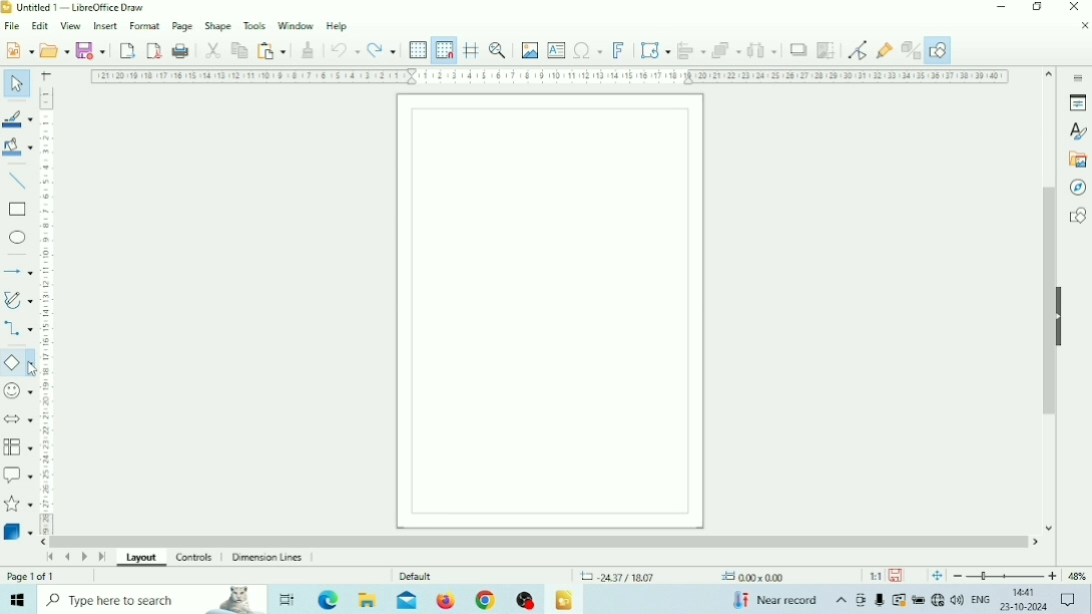 Image resolution: width=1092 pixels, height=614 pixels. Describe the element at coordinates (940, 600) in the screenshot. I see `Internet` at that location.